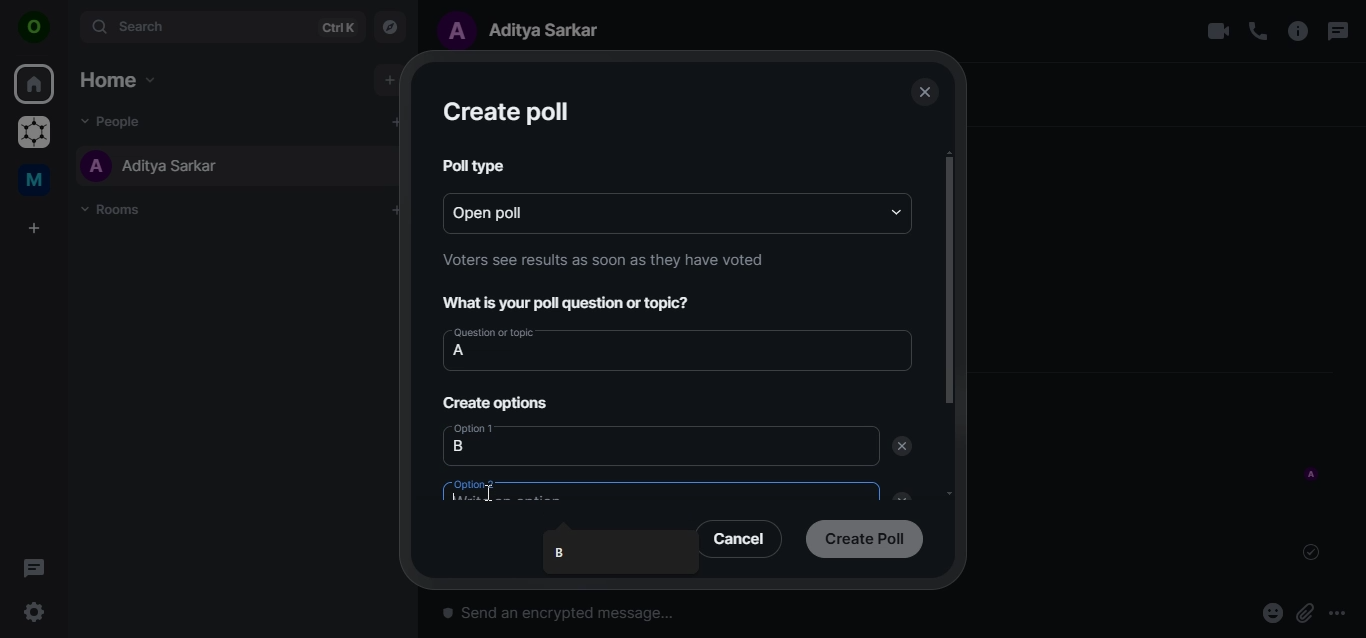 The image size is (1366, 638). What do you see at coordinates (460, 351) in the screenshot?
I see `a` at bounding box center [460, 351].